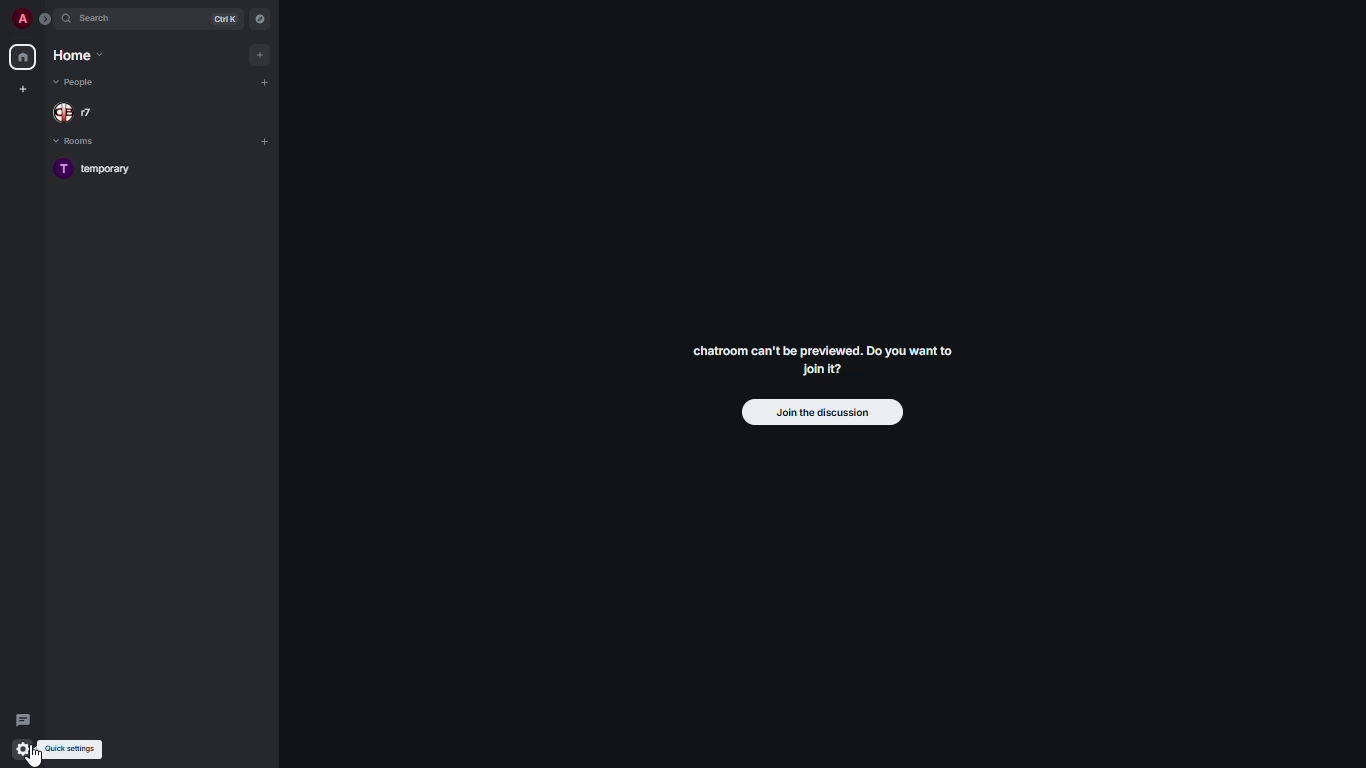  I want to click on cursor, so click(23, 750).